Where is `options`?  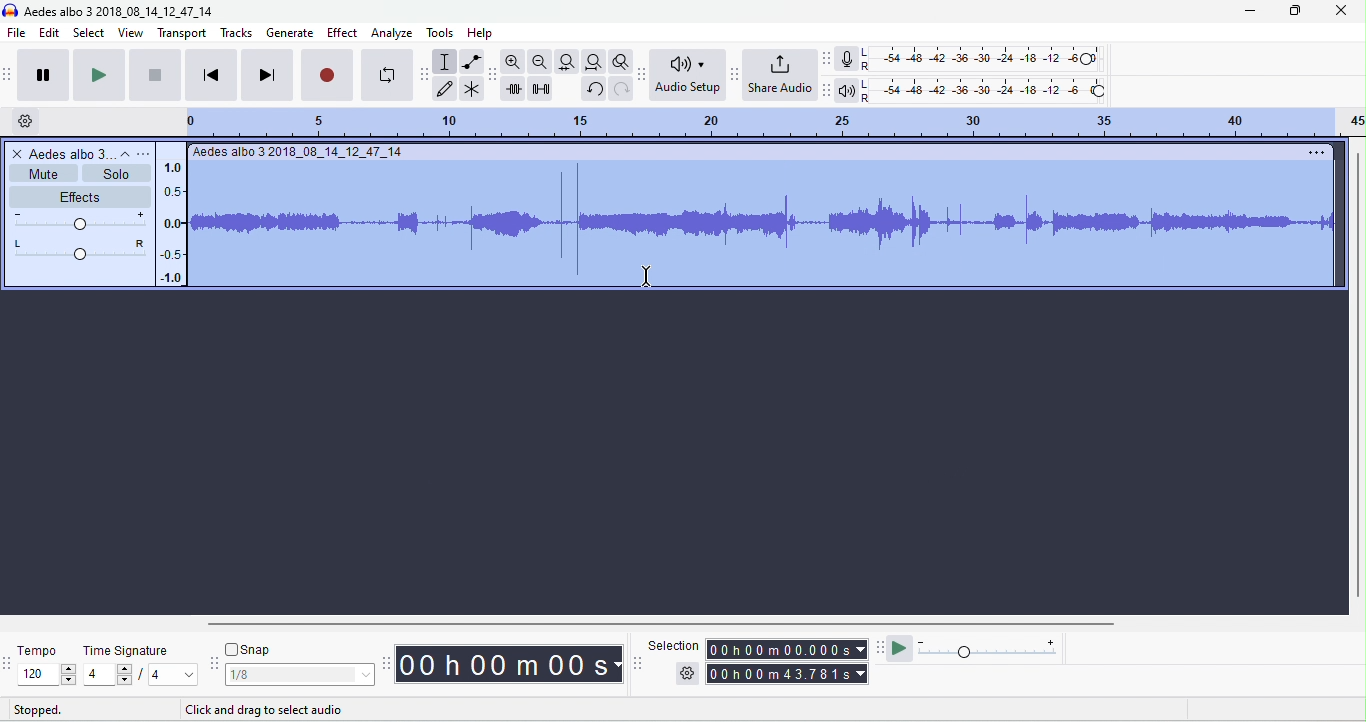 options is located at coordinates (1314, 153).